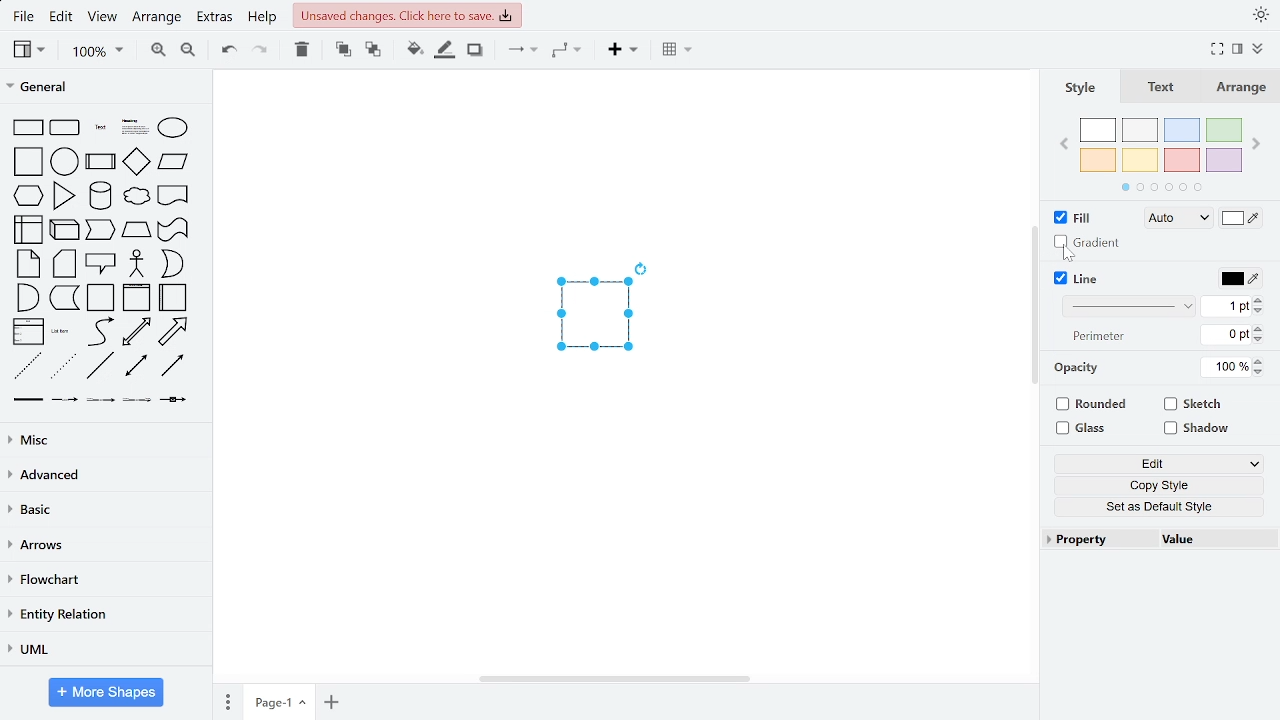  I want to click on more shapes, so click(106, 692).